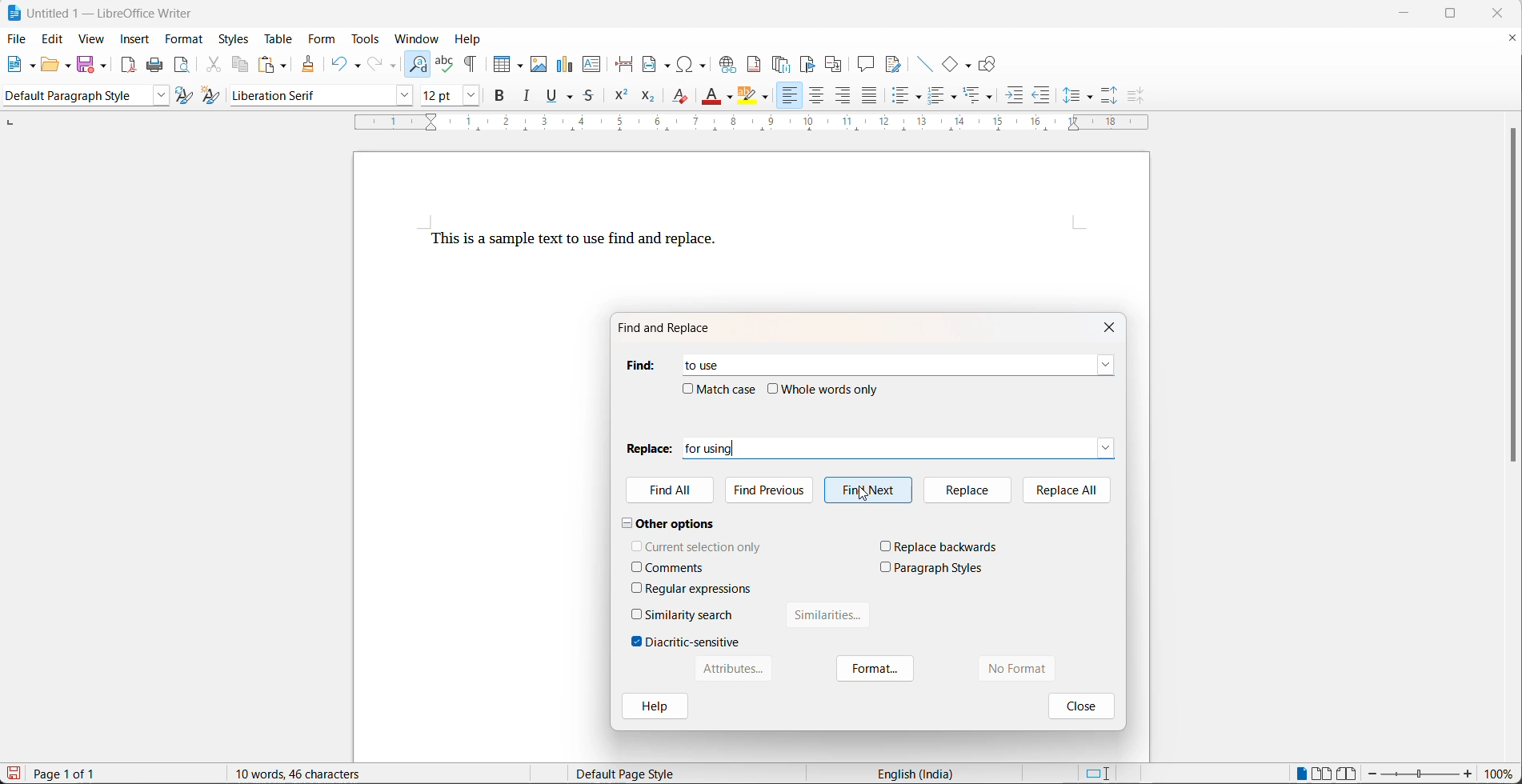 The image size is (1522, 784). I want to click on close, so click(1503, 13).